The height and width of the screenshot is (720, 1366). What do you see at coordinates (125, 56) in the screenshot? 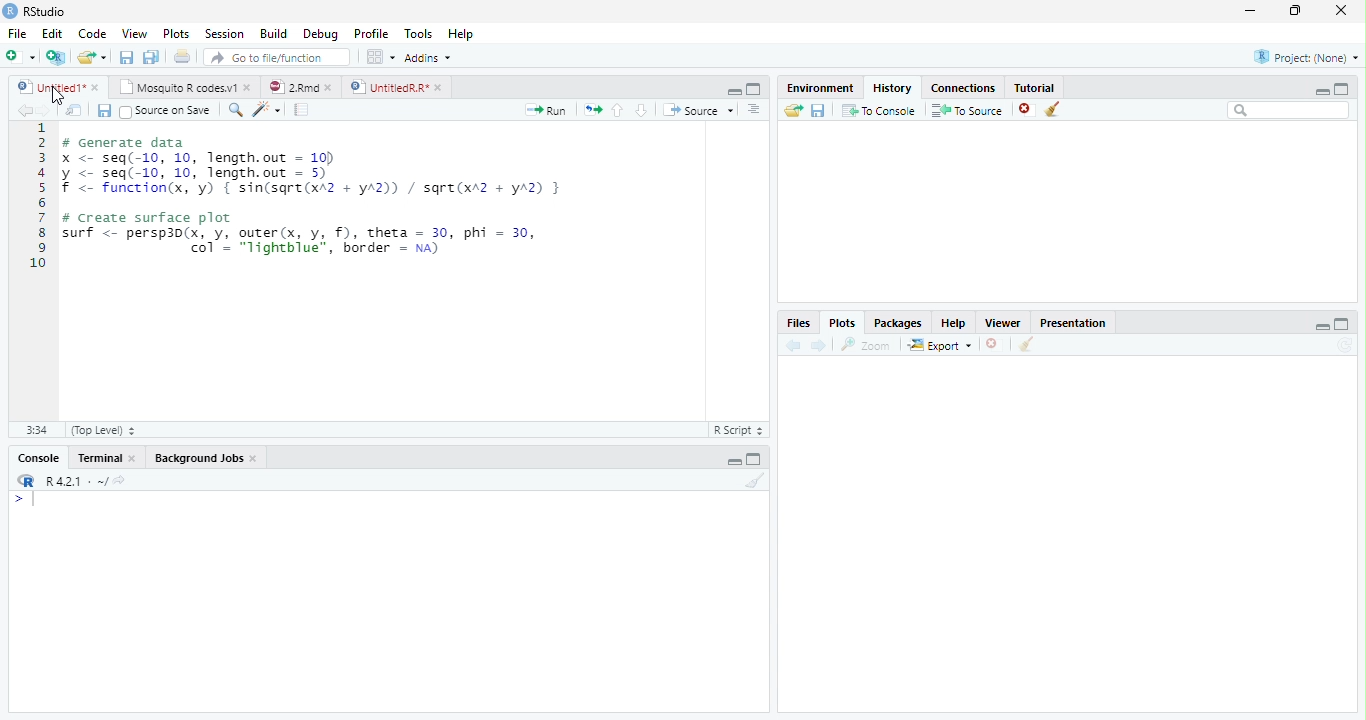
I see `Save current document` at bounding box center [125, 56].